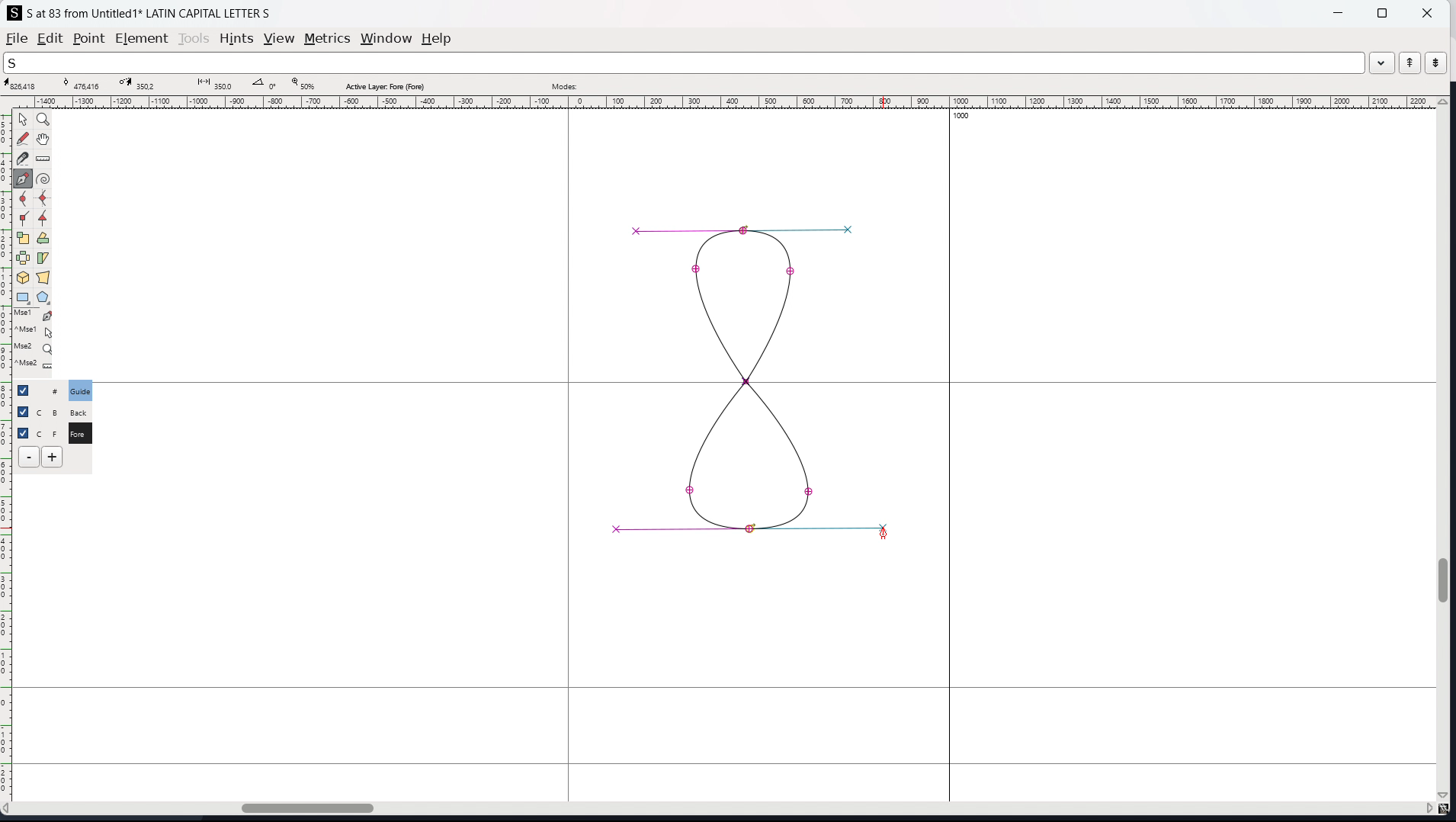 The width and height of the screenshot is (1456, 822). Describe the element at coordinates (22, 410) in the screenshot. I see `checkbox` at that location.